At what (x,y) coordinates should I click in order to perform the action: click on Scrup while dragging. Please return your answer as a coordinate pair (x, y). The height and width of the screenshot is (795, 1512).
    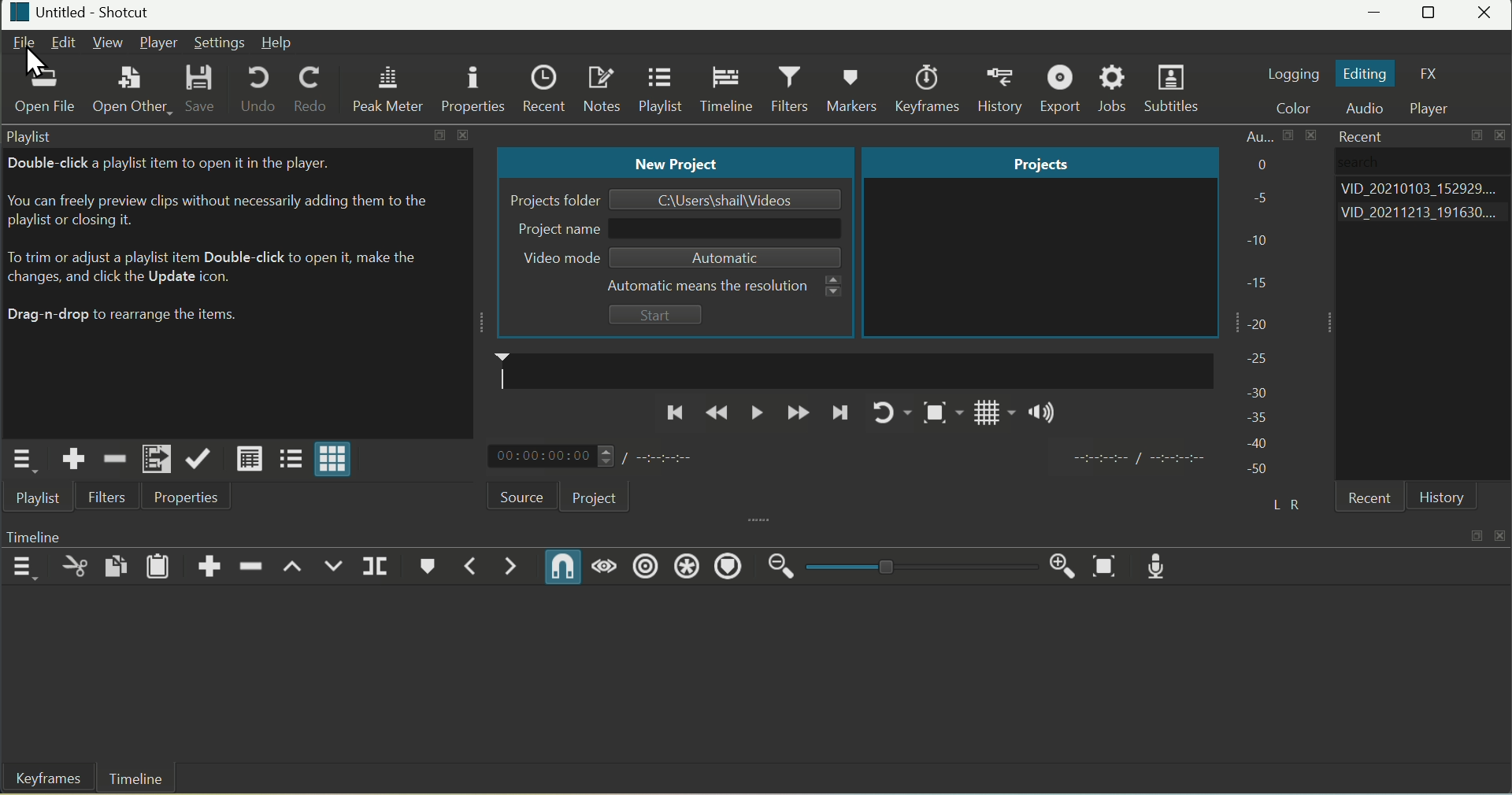
    Looking at the image, I should click on (607, 568).